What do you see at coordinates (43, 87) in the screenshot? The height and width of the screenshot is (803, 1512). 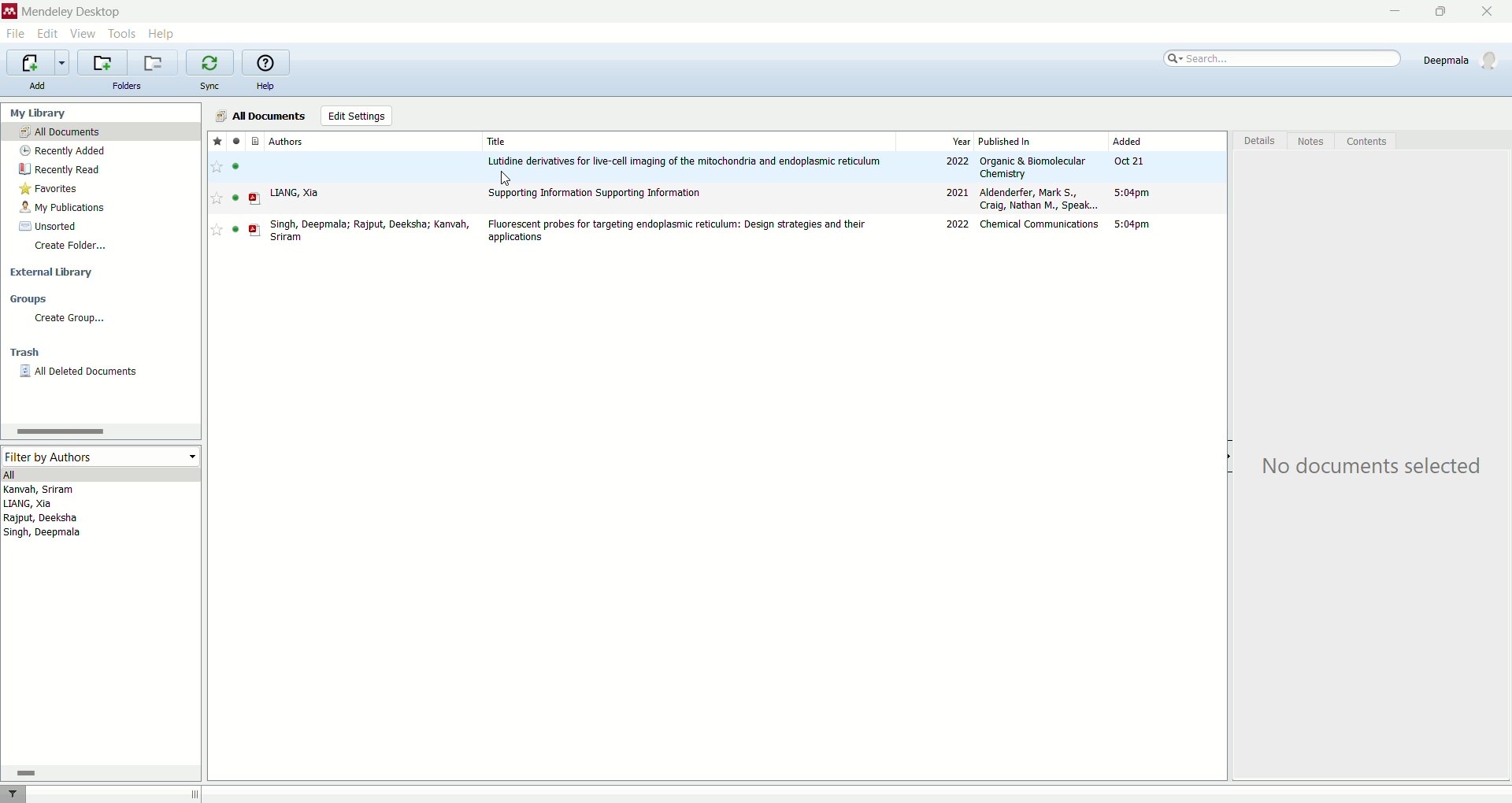 I see `add` at bounding box center [43, 87].